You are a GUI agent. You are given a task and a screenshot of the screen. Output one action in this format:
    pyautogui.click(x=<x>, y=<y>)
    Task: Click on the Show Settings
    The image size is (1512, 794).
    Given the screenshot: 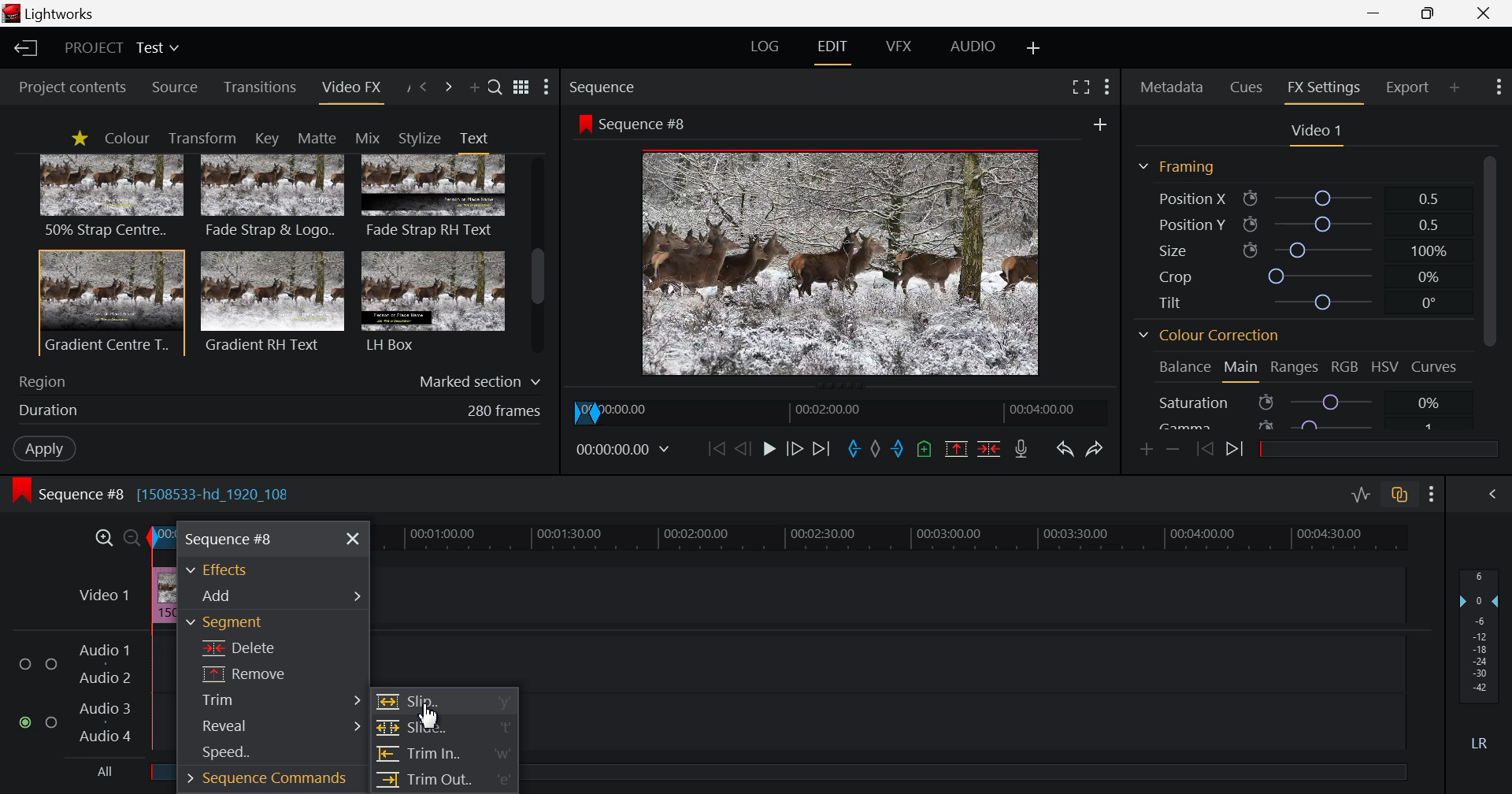 What is the action you would take?
    pyautogui.click(x=1496, y=87)
    